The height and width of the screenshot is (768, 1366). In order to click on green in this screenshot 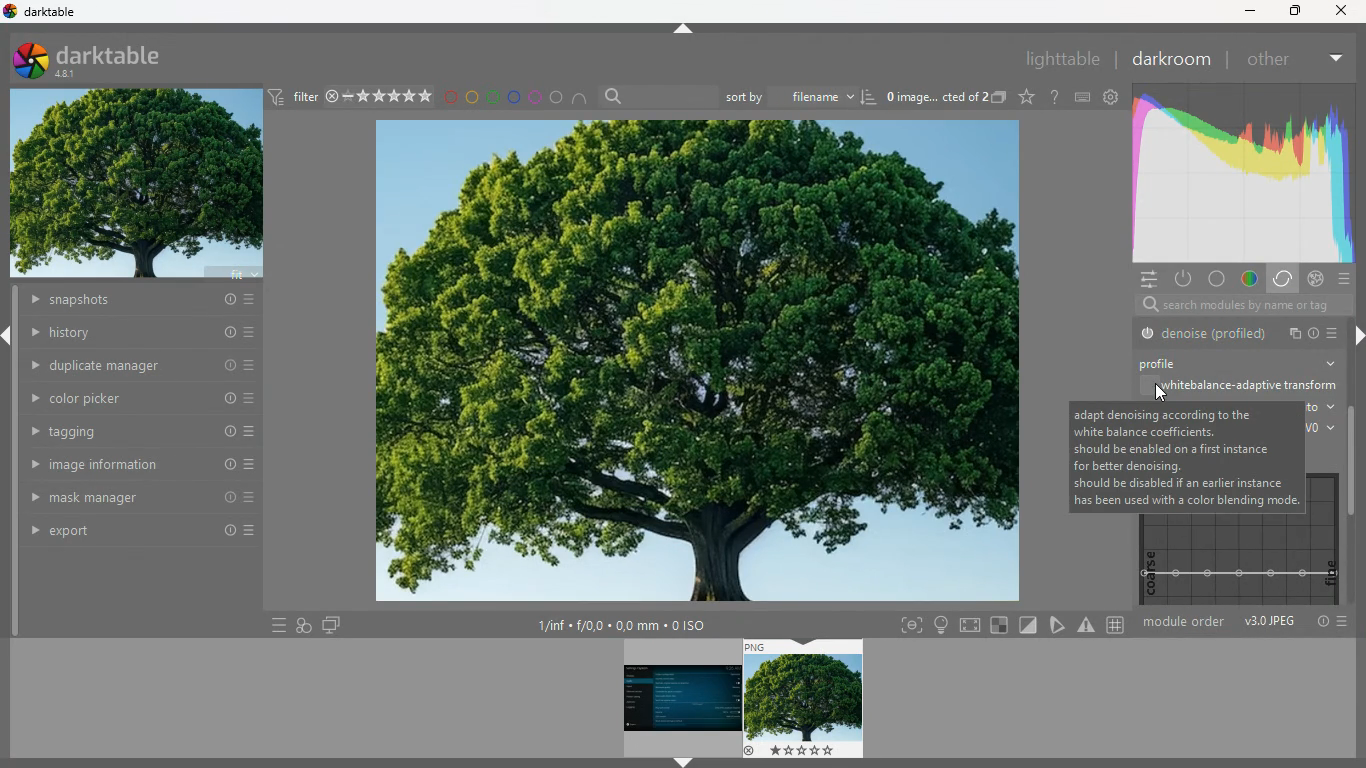, I will do `click(493, 97)`.